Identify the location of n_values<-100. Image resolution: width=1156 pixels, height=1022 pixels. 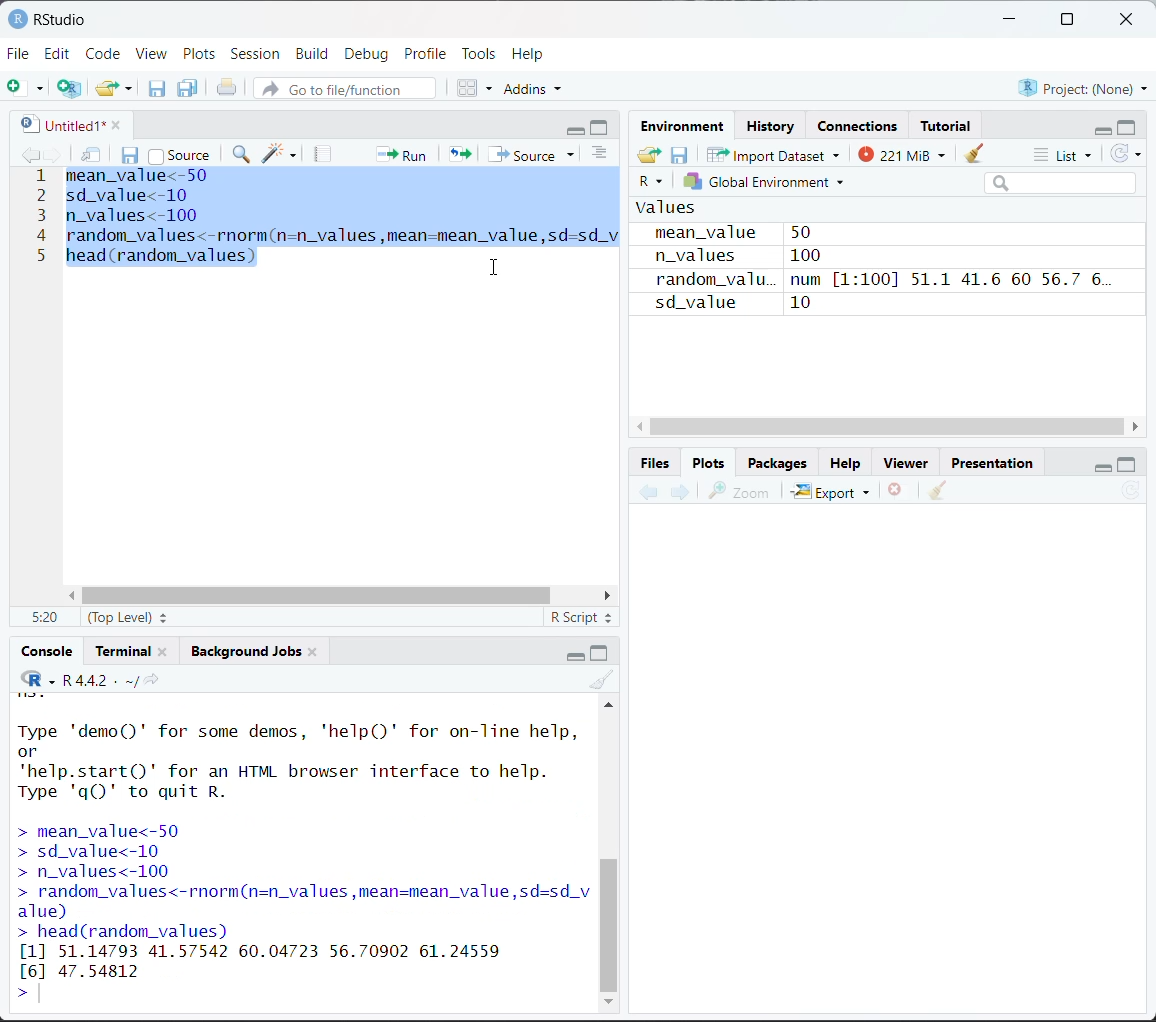
(134, 215).